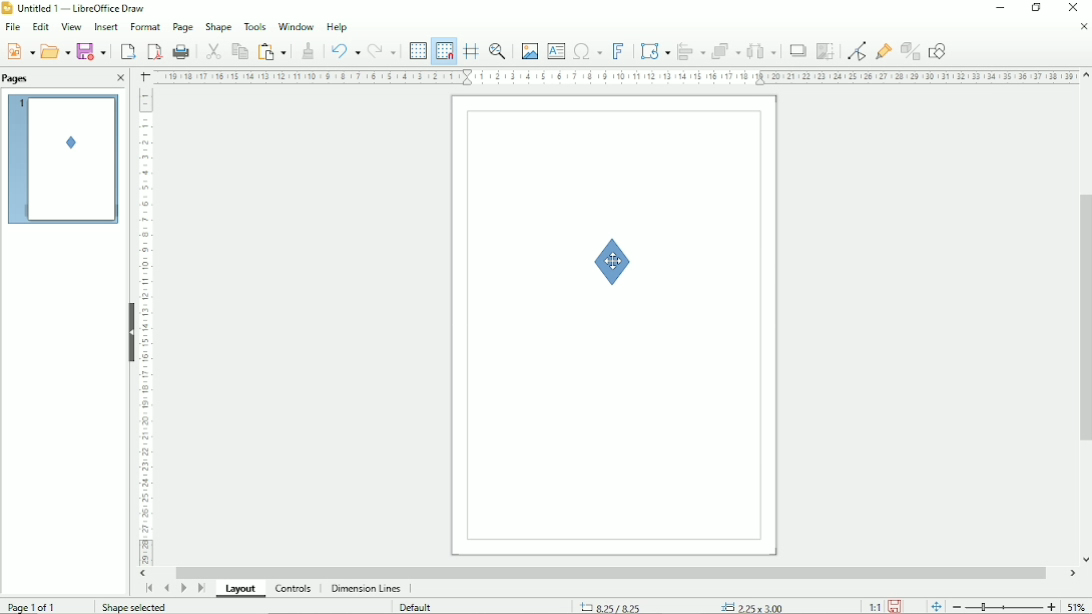  What do you see at coordinates (294, 589) in the screenshot?
I see `Controls` at bounding box center [294, 589].